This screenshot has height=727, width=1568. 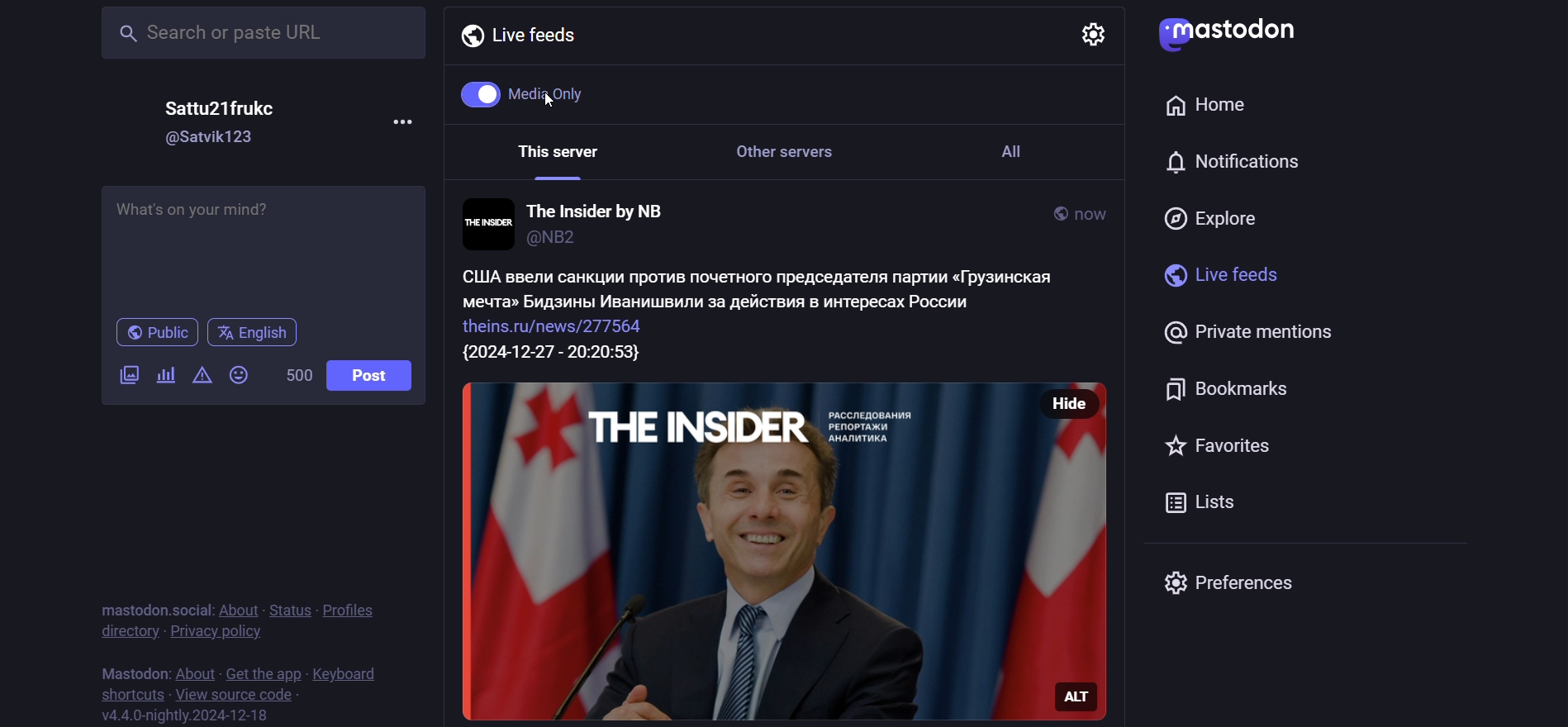 I want to click on content warning, so click(x=200, y=377).